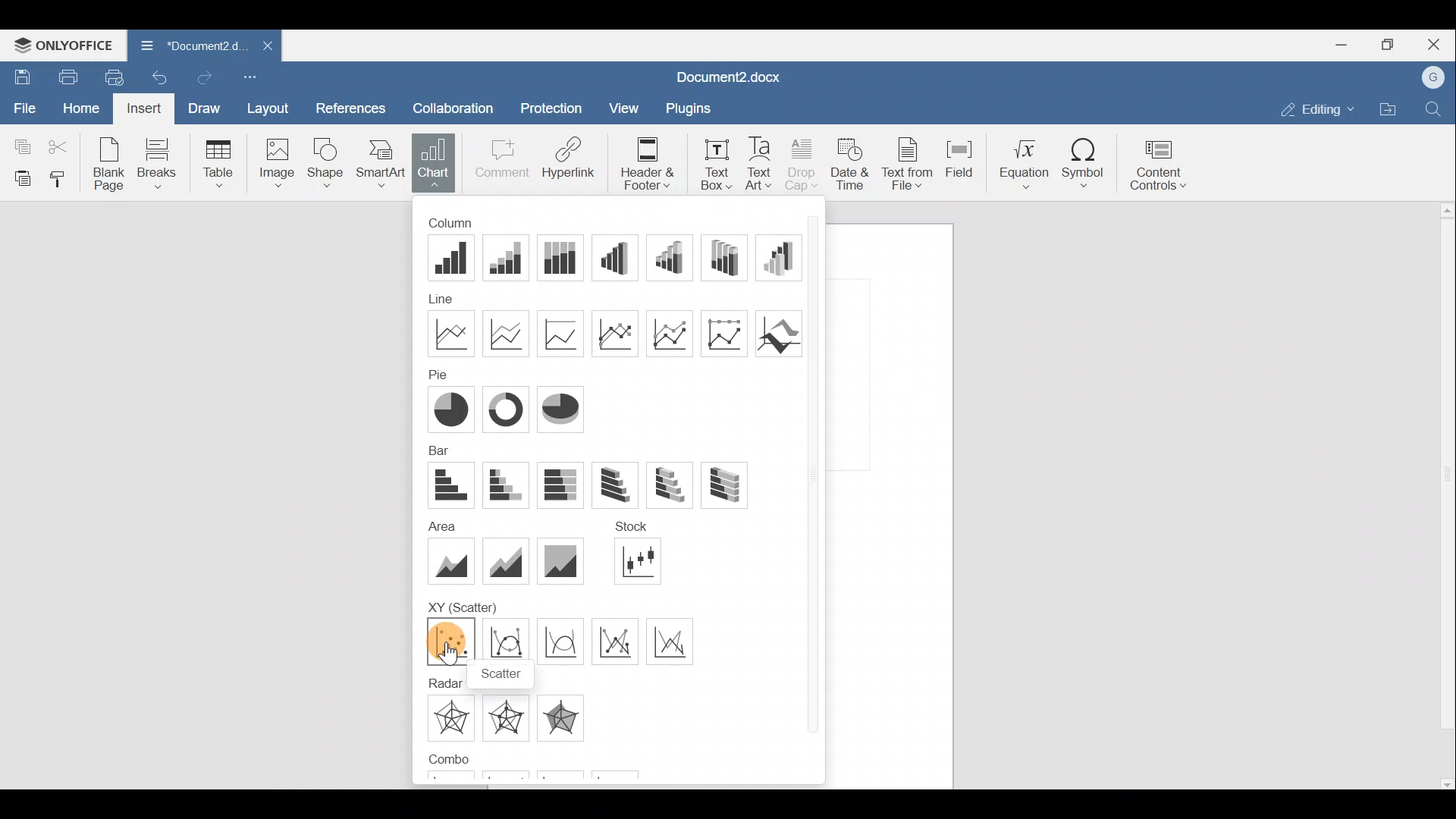 The width and height of the screenshot is (1456, 819). Describe the element at coordinates (558, 562) in the screenshot. I see `100% Stacked area` at that location.